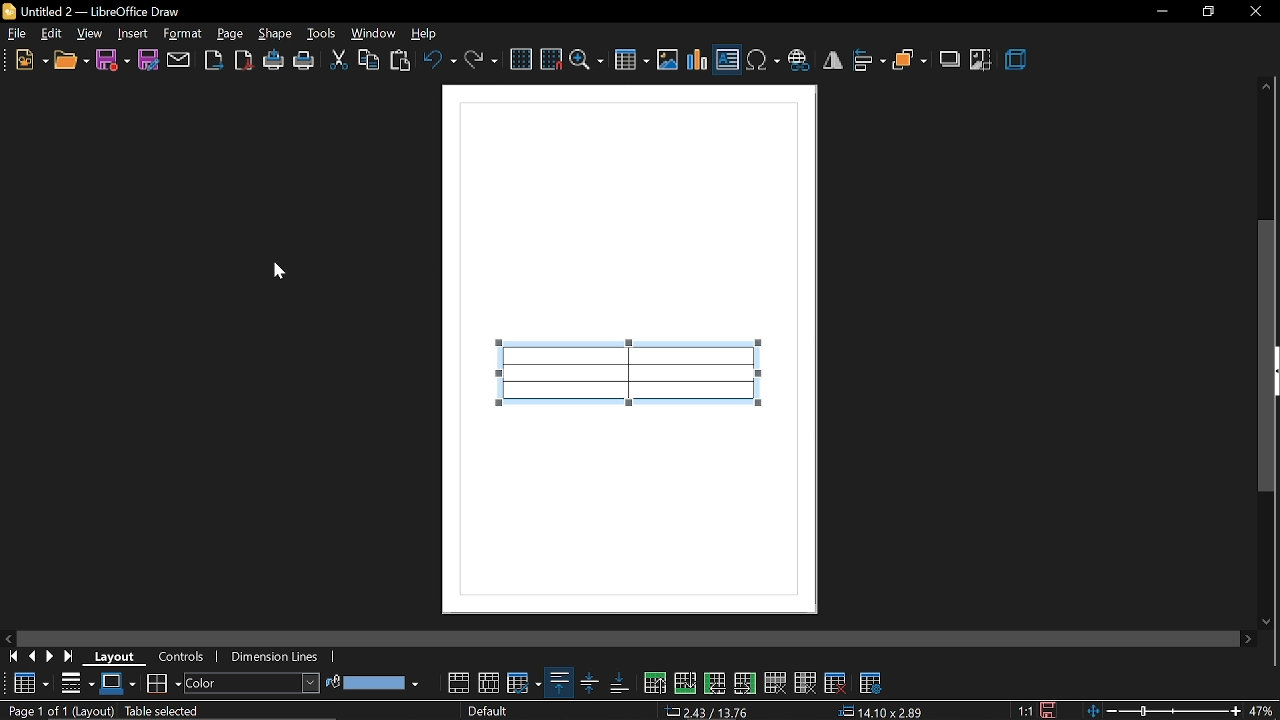 This screenshot has height=720, width=1280. What do you see at coordinates (707, 711) in the screenshot?
I see `2.43/13.76` at bounding box center [707, 711].